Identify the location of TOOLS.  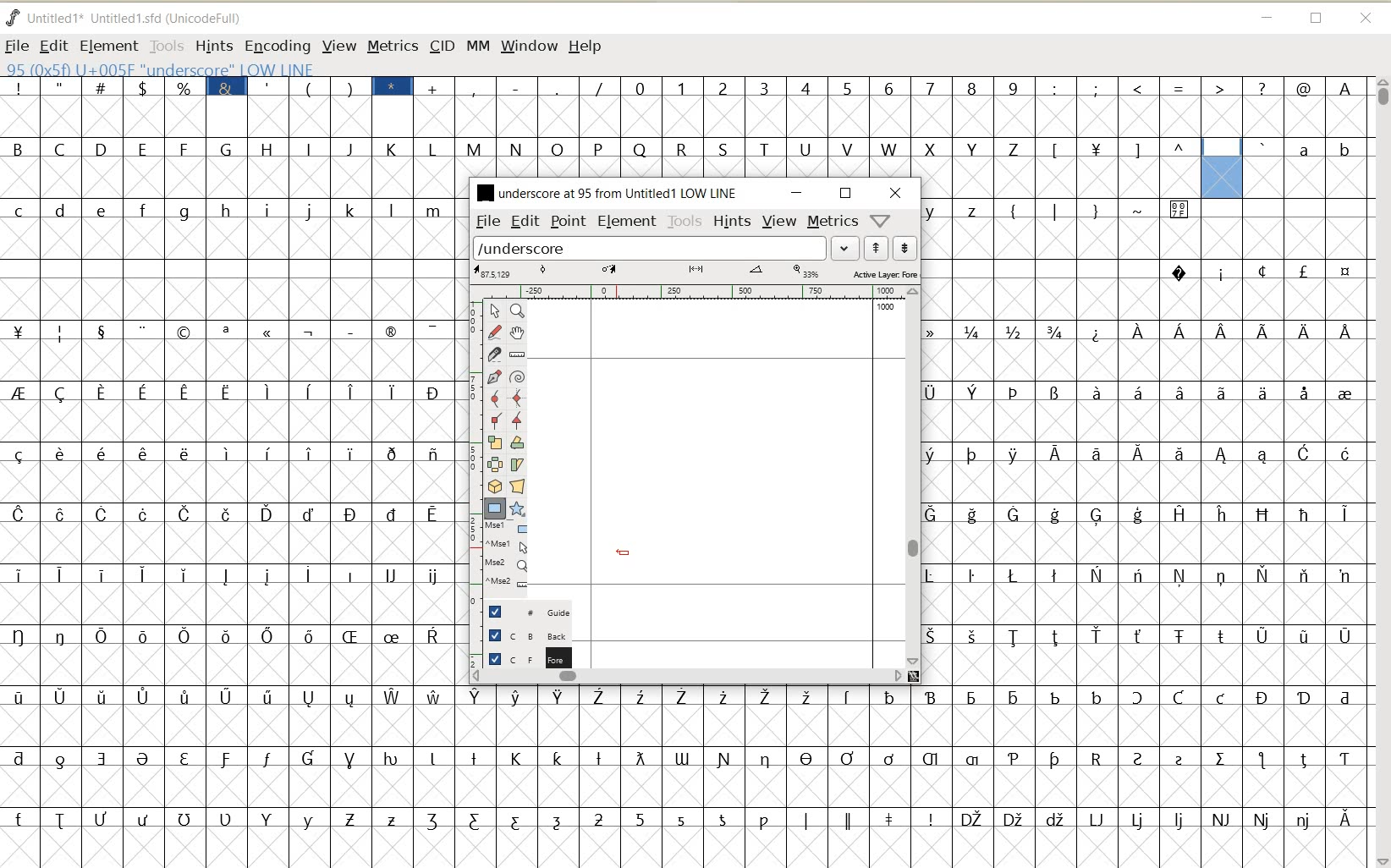
(685, 222).